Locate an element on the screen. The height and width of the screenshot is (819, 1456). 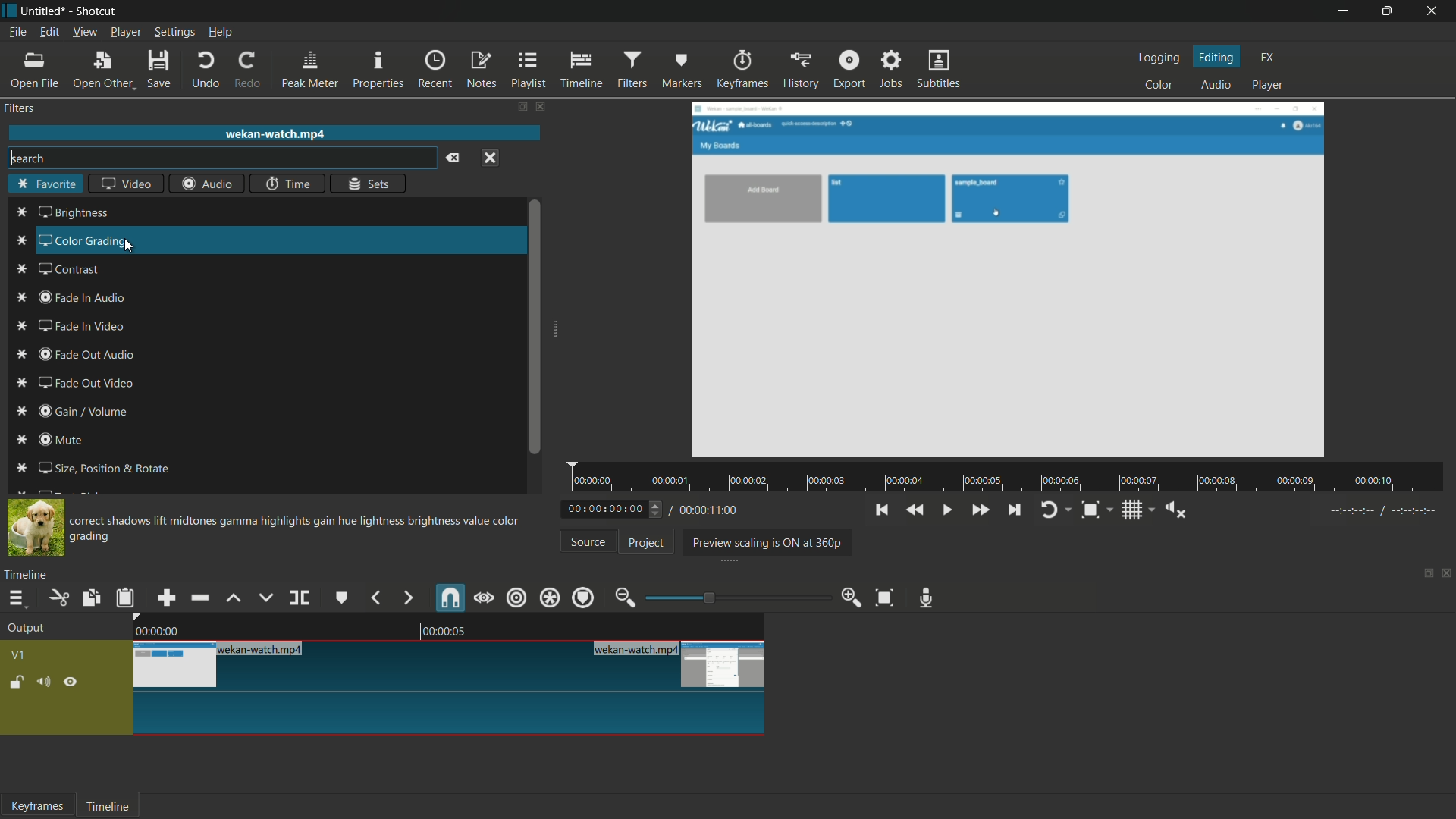
record audio is located at coordinates (927, 598).